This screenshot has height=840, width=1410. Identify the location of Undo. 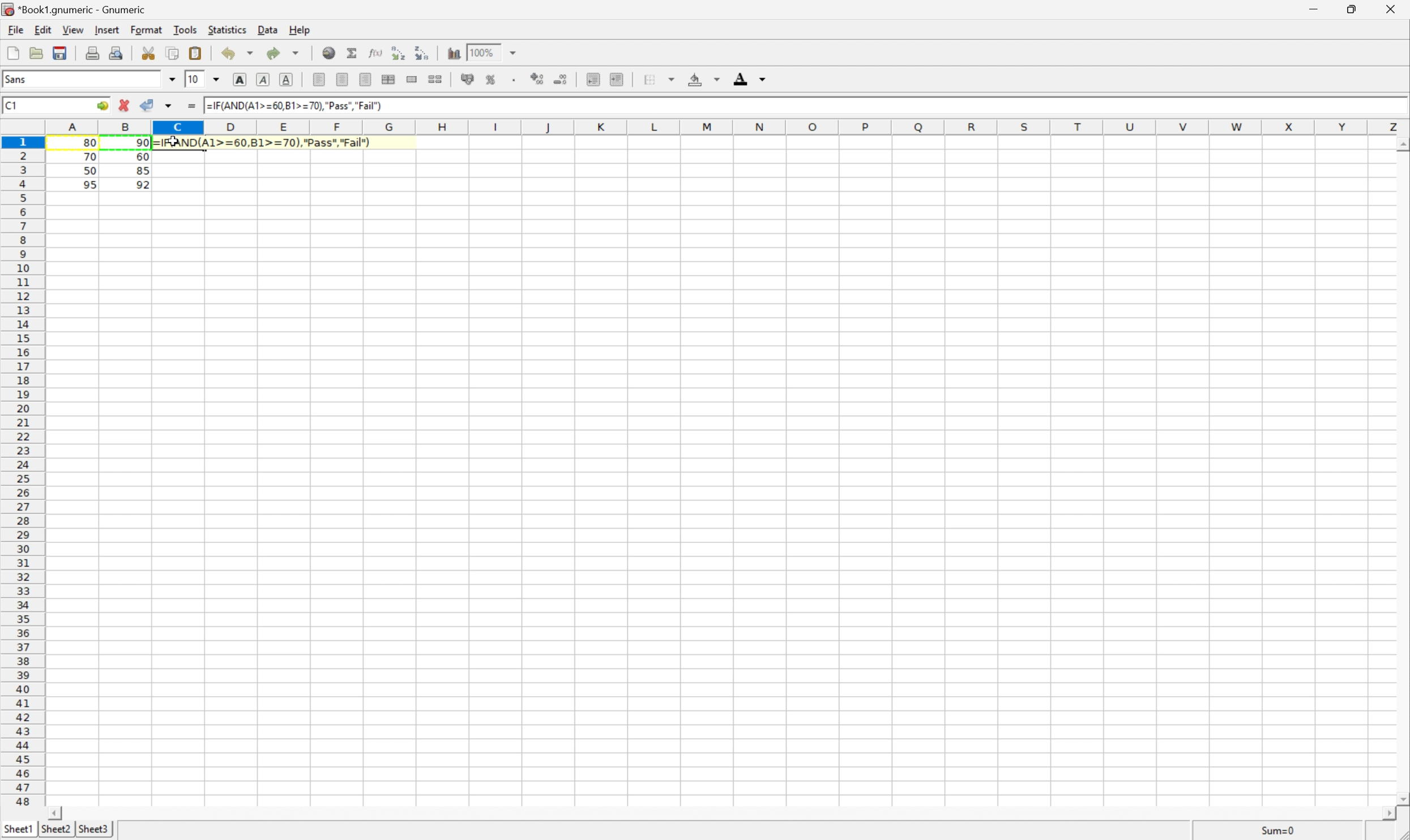
(228, 54).